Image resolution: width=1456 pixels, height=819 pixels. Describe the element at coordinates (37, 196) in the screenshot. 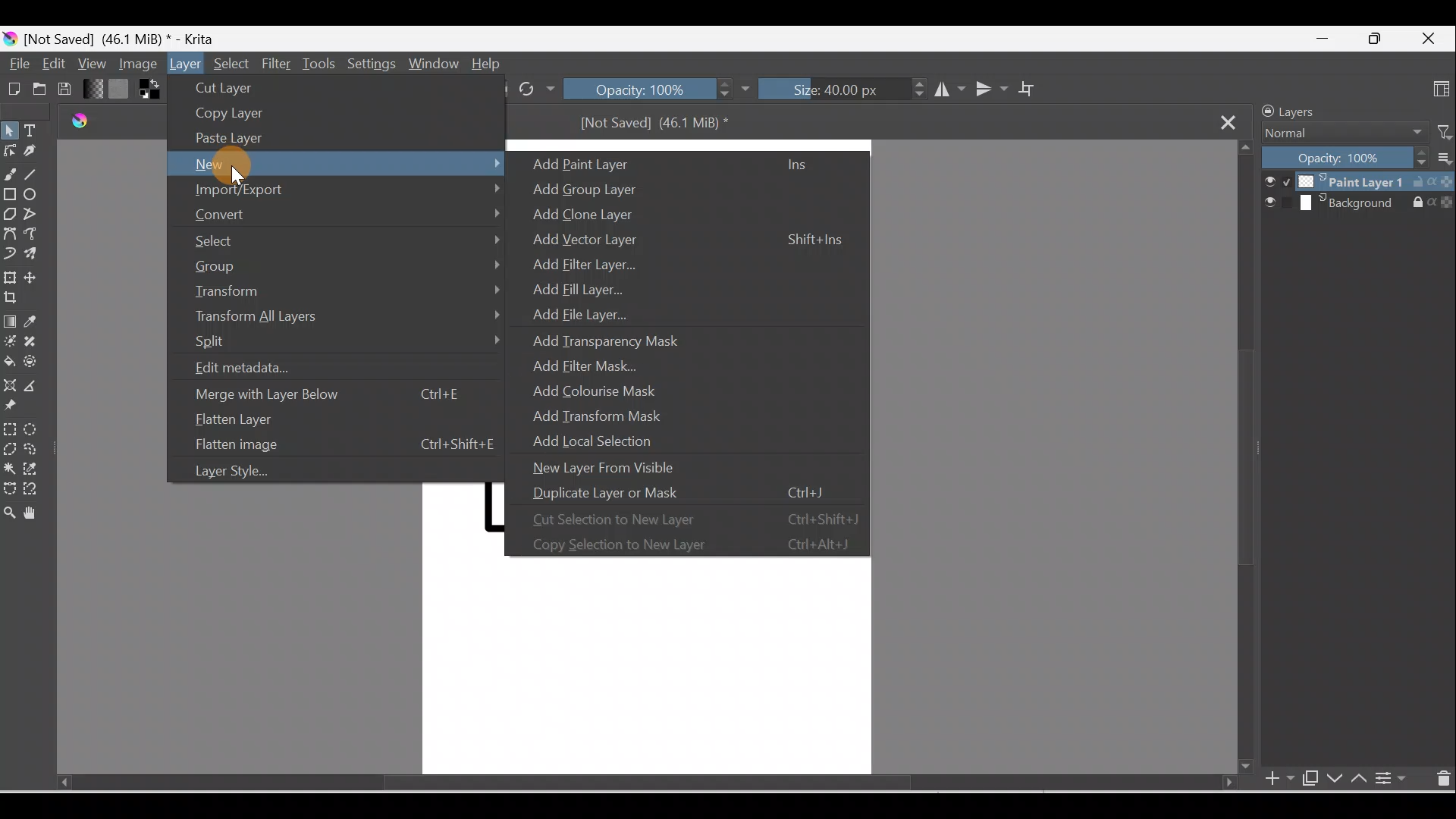

I see `Ellipse tool` at that location.